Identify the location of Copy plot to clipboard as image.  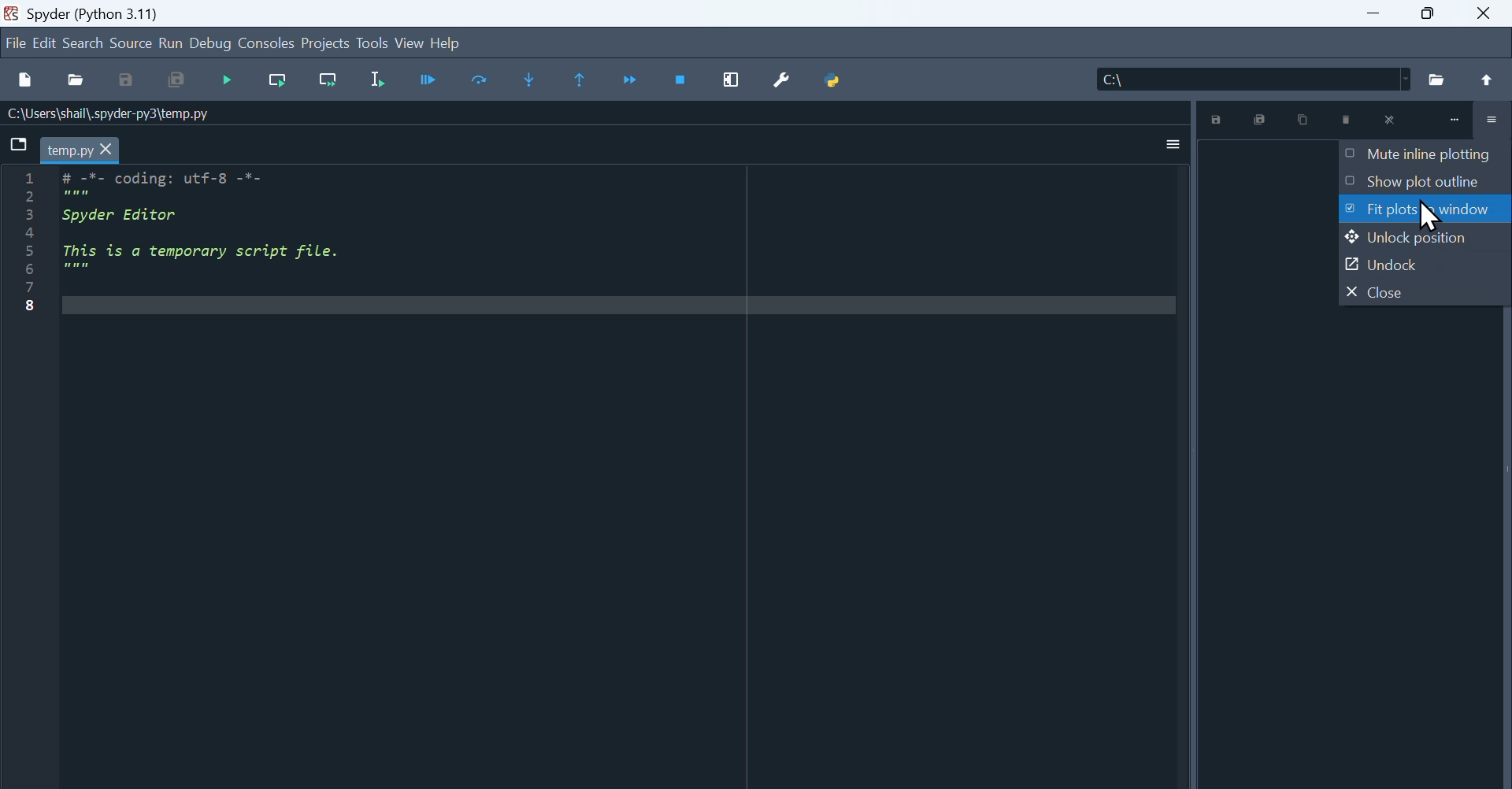
(1300, 119).